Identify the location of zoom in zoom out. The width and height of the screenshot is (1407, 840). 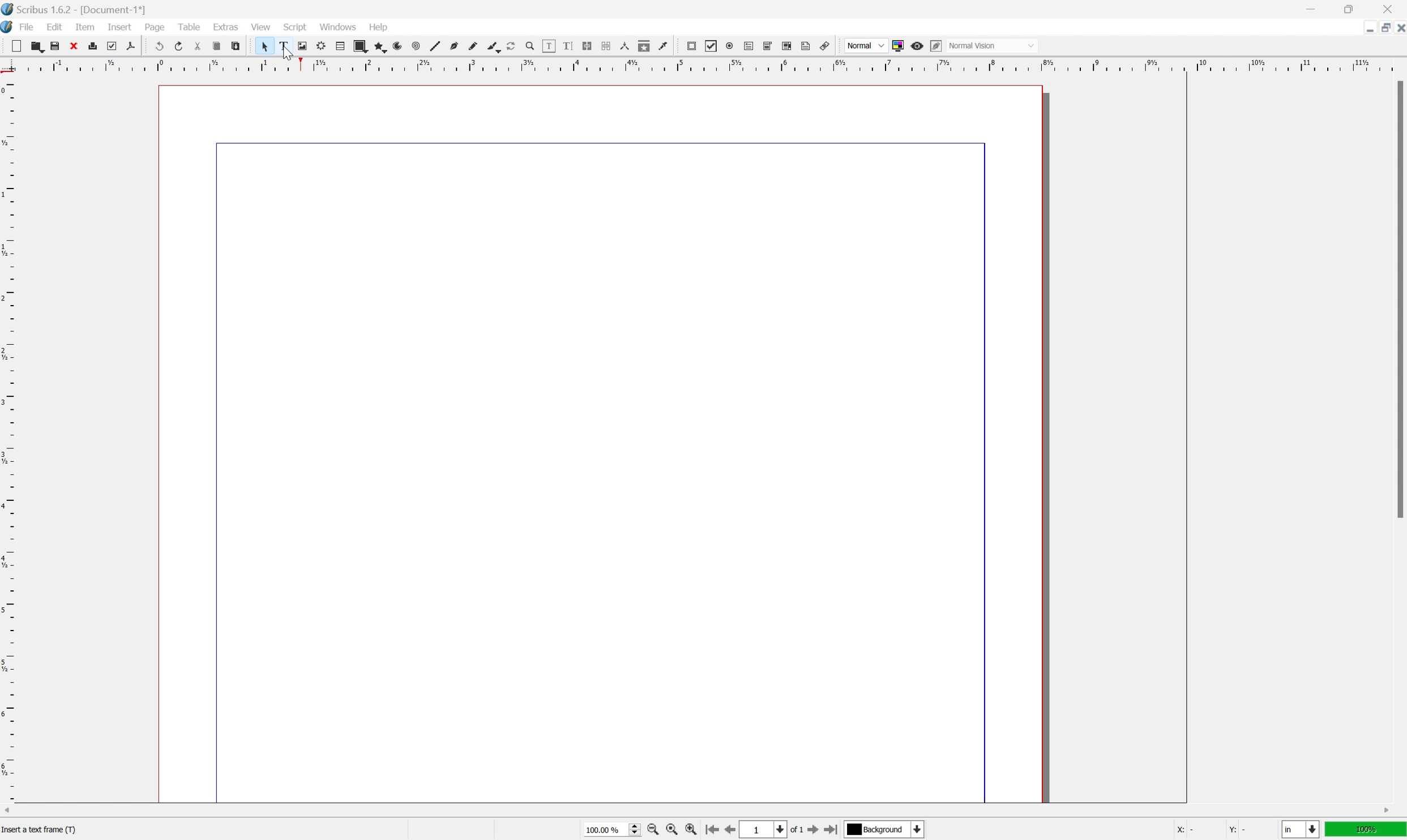
(529, 46).